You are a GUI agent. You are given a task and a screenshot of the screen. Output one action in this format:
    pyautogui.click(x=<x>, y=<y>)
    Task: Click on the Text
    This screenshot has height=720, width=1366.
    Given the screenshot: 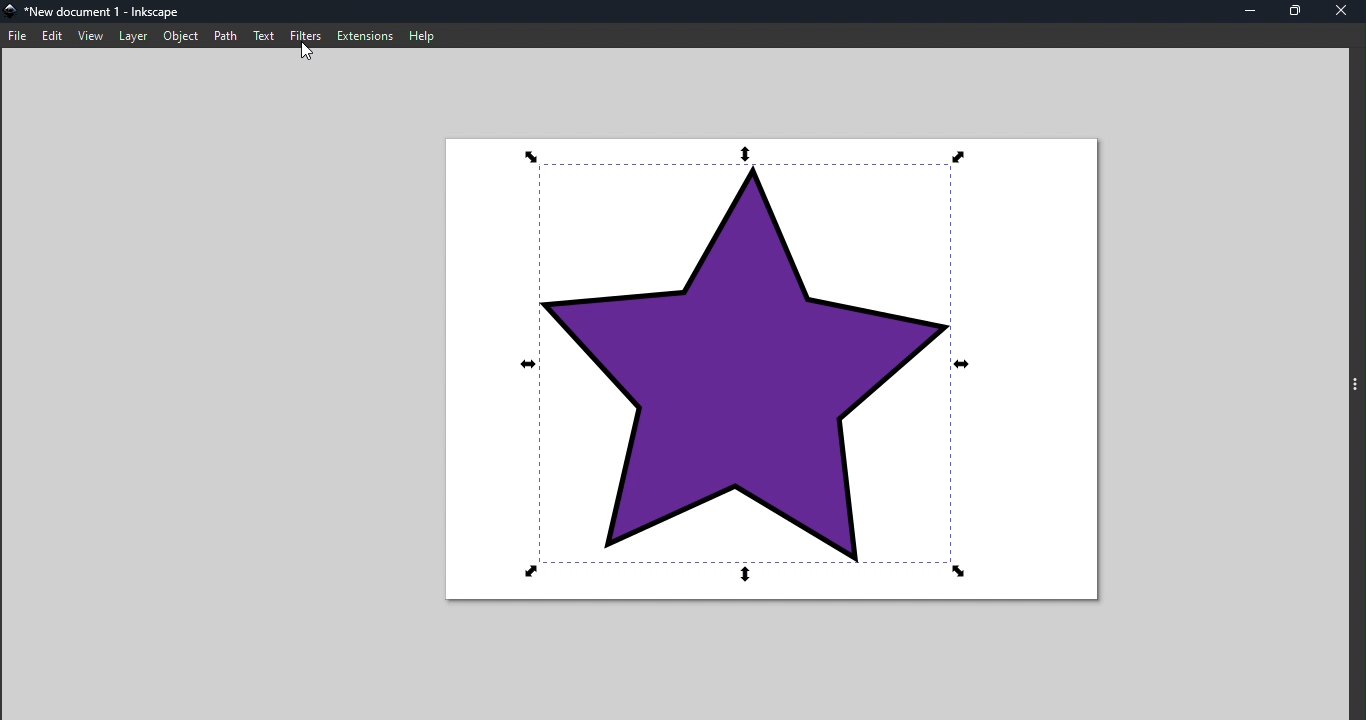 What is the action you would take?
    pyautogui.click(x=266, y=35)
    